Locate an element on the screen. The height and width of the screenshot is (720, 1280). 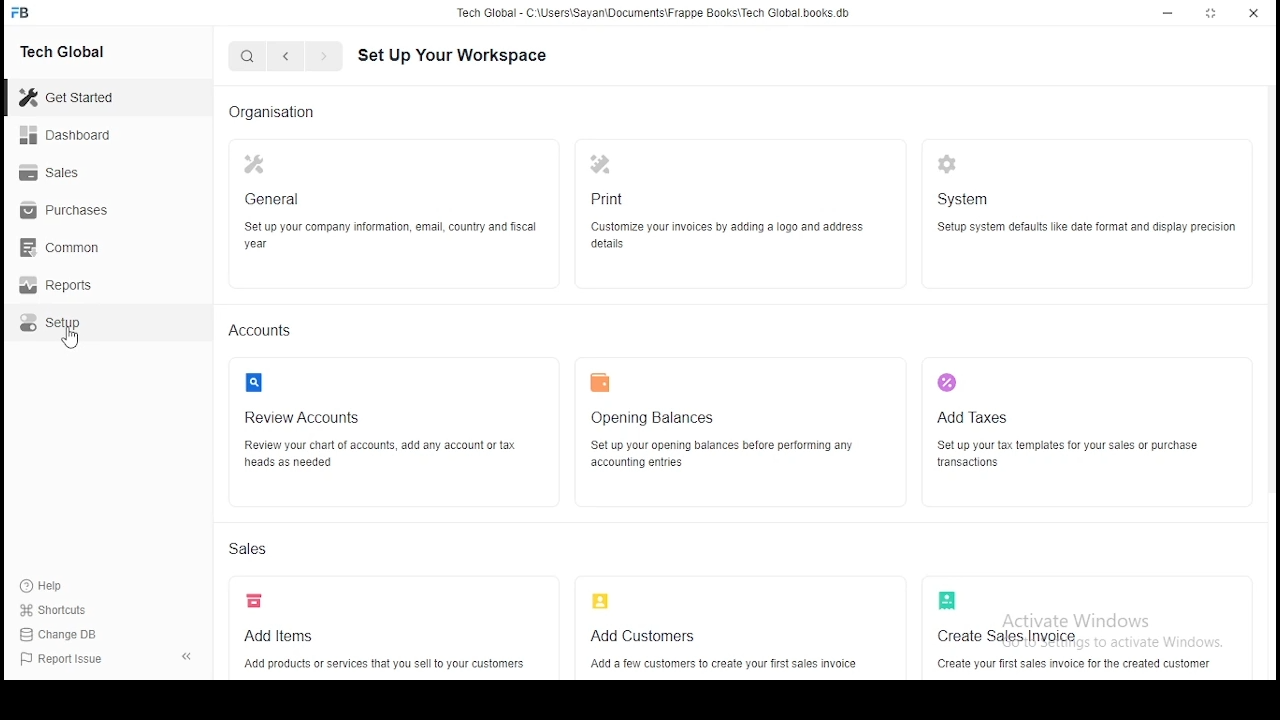
Opening Balances is located at coordinates (732, 428).